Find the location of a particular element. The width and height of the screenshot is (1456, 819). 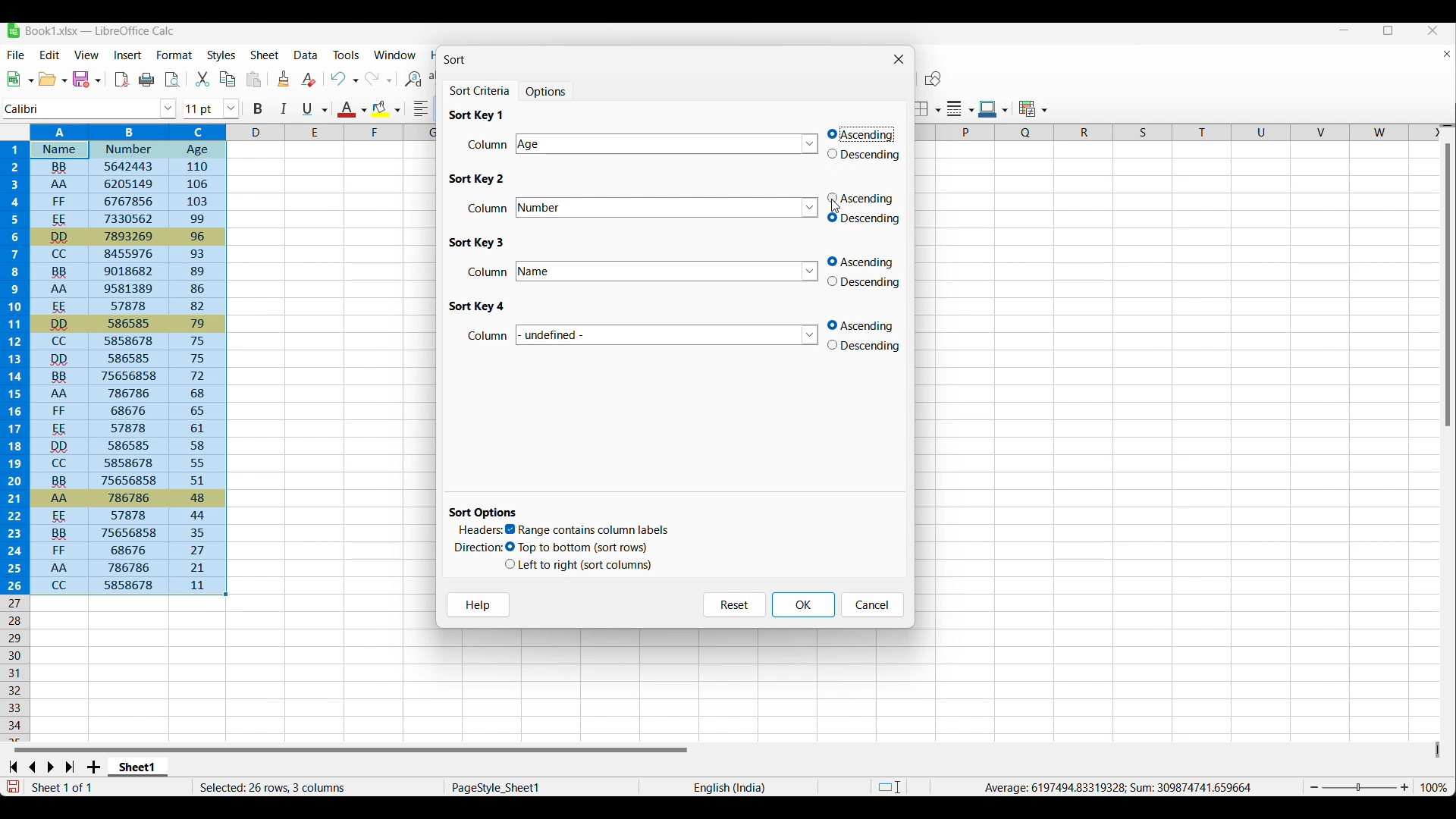

Current sheet is located at coordinates (138, 767).